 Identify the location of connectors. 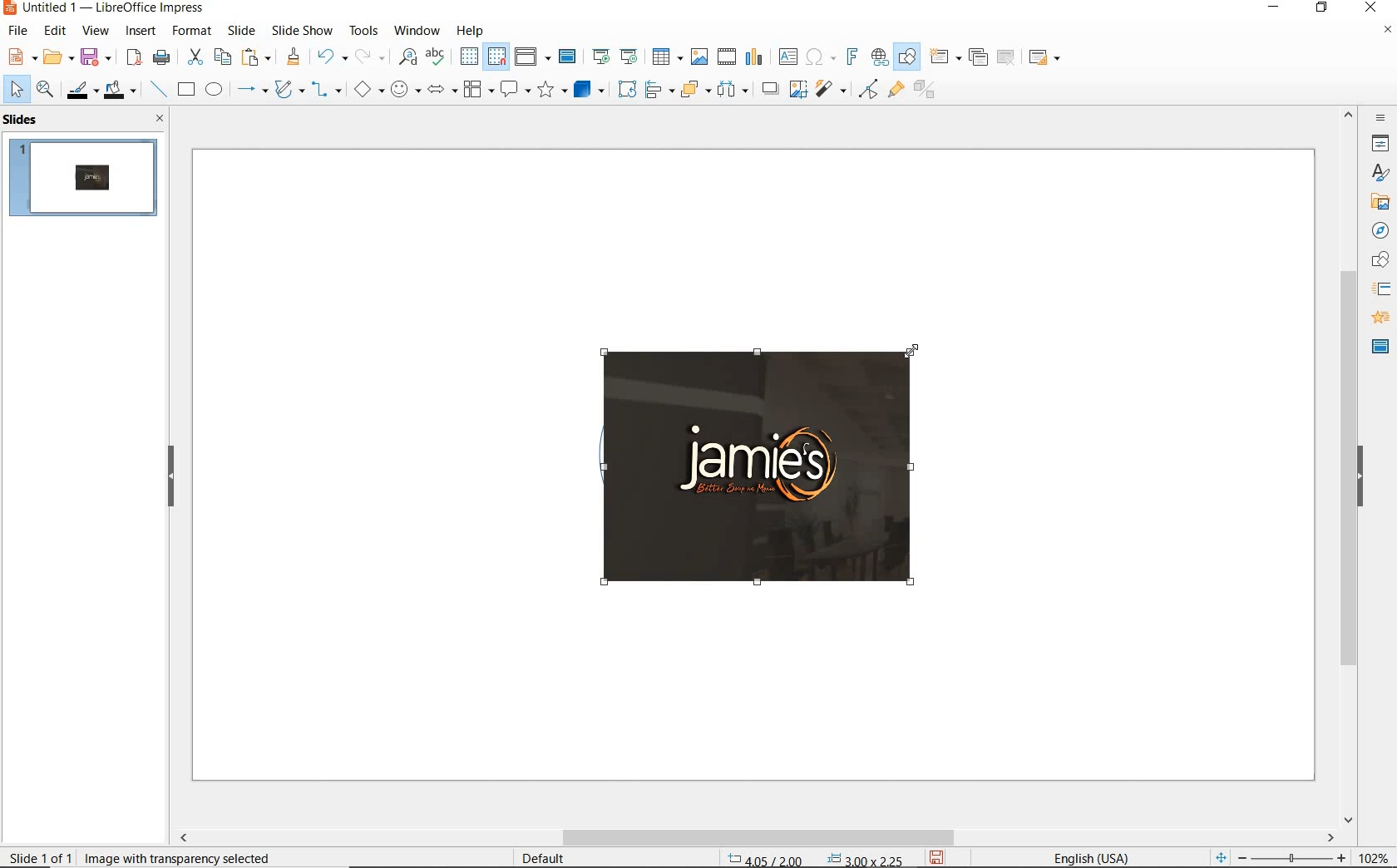
(327, 91).